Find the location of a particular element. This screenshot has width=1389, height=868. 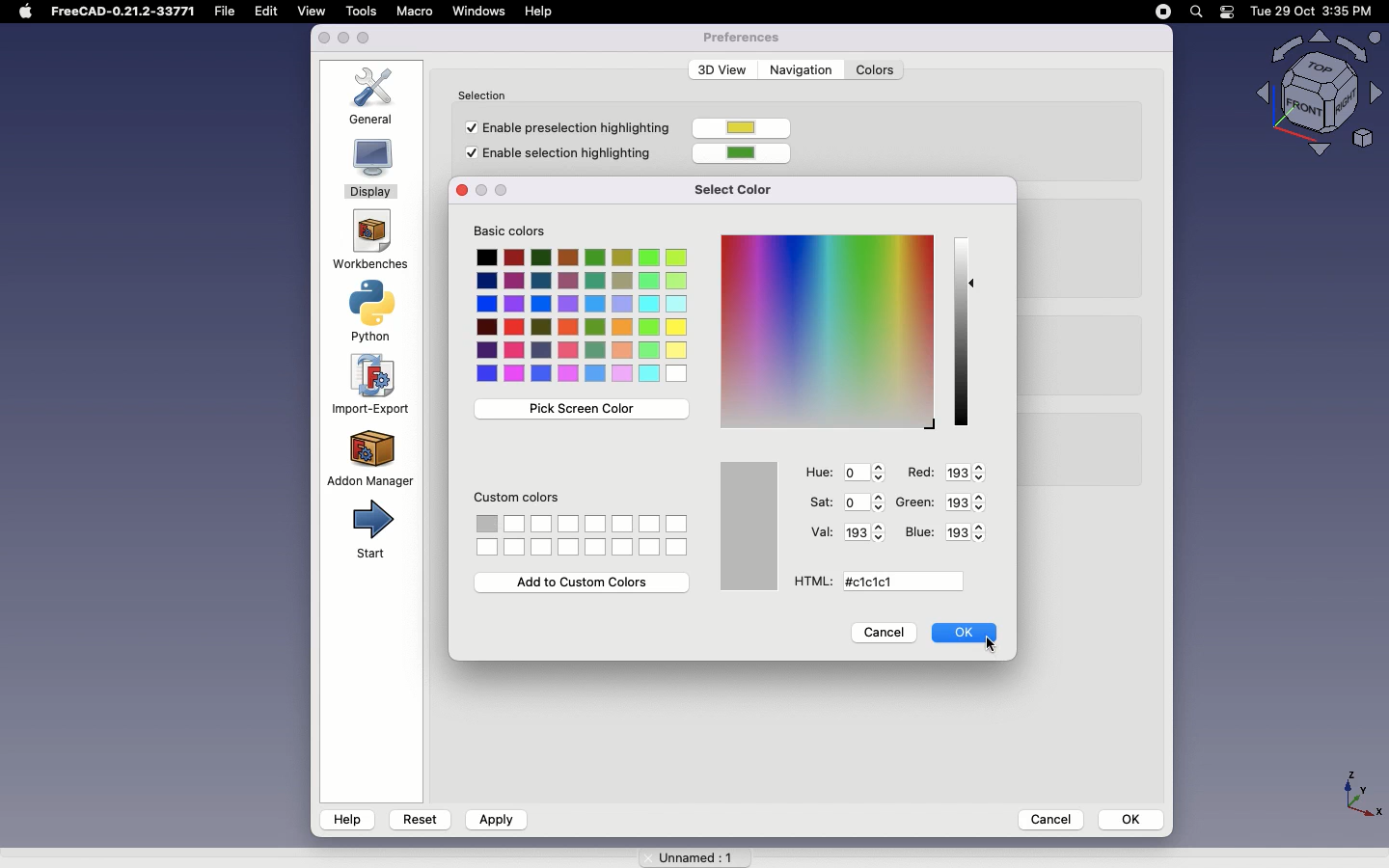

Color selection is located at coordinates (825, 331).